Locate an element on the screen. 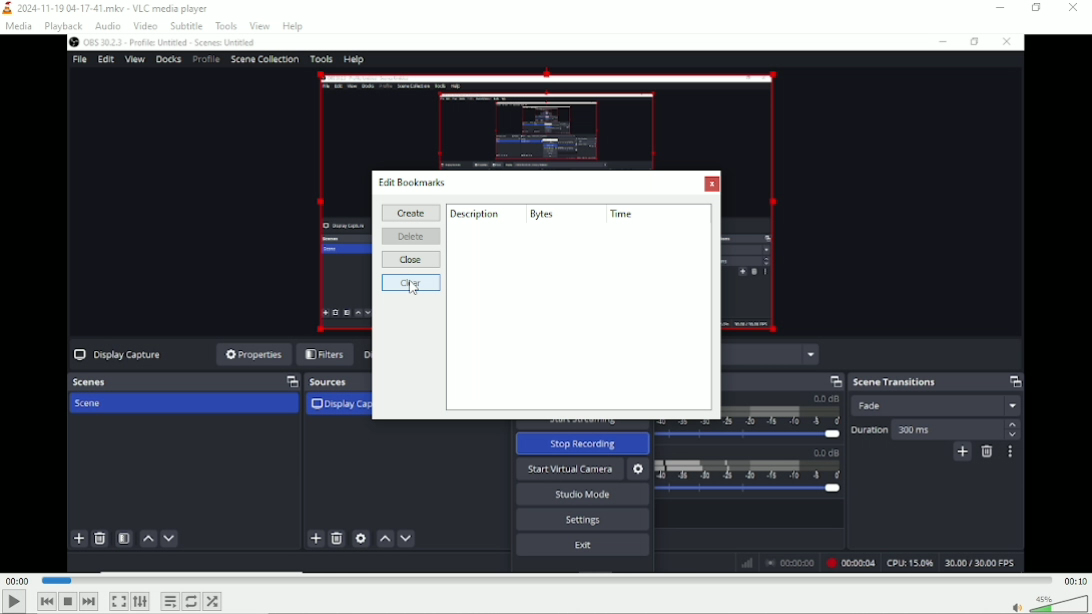  Close is located at coordinates (410, 260).